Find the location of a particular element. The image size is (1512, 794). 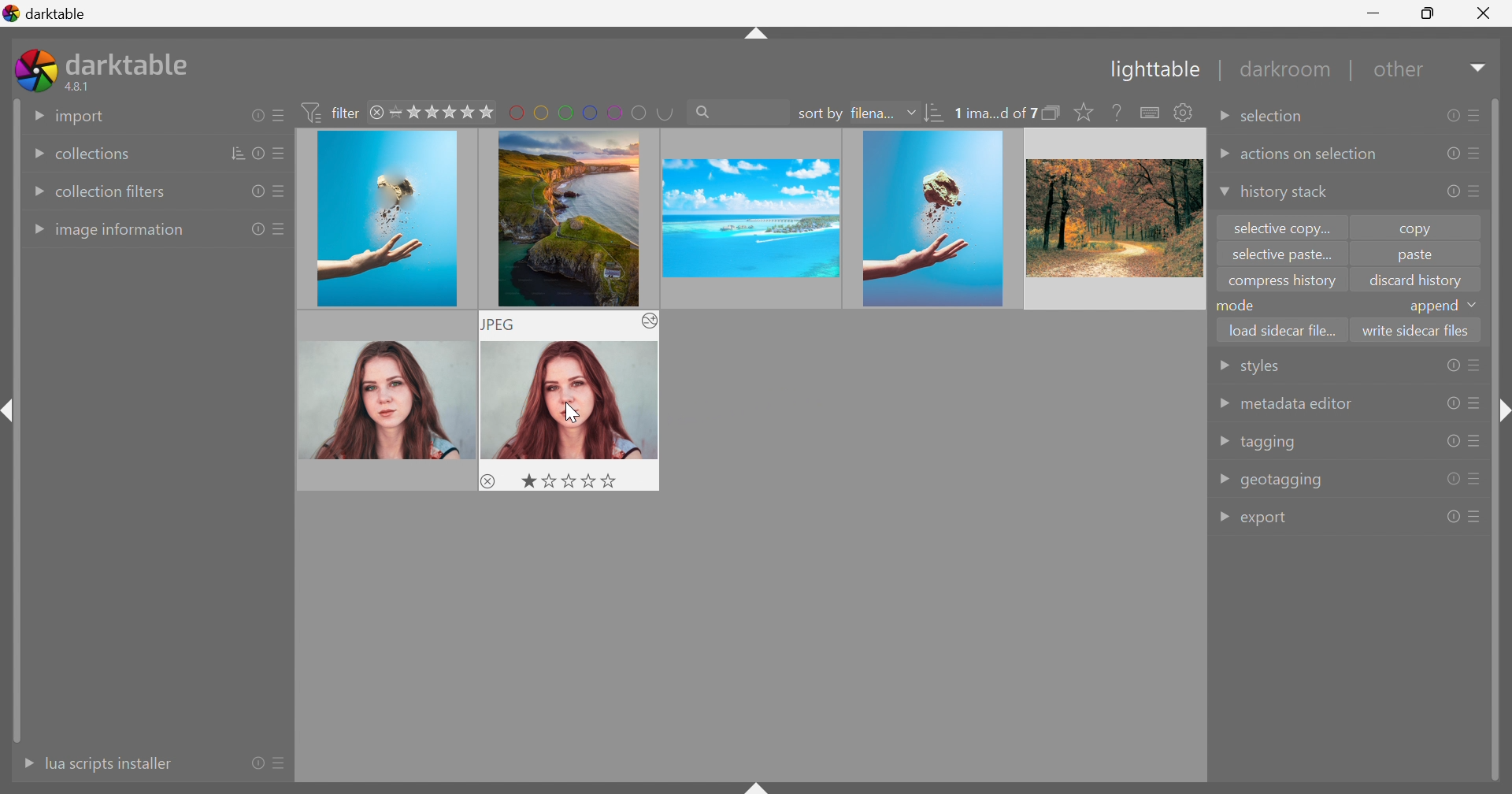

reset is located at coordinates (257, 230).